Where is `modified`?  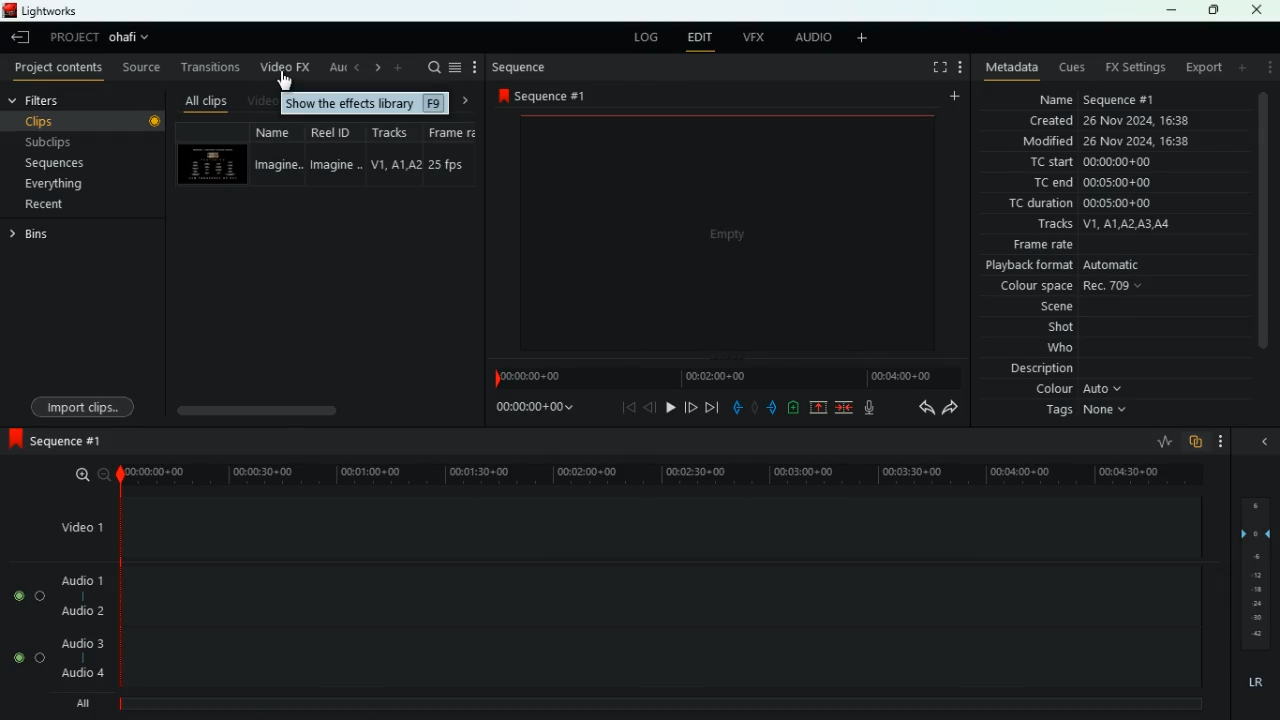 modified is located at coordinates (1109, 142).